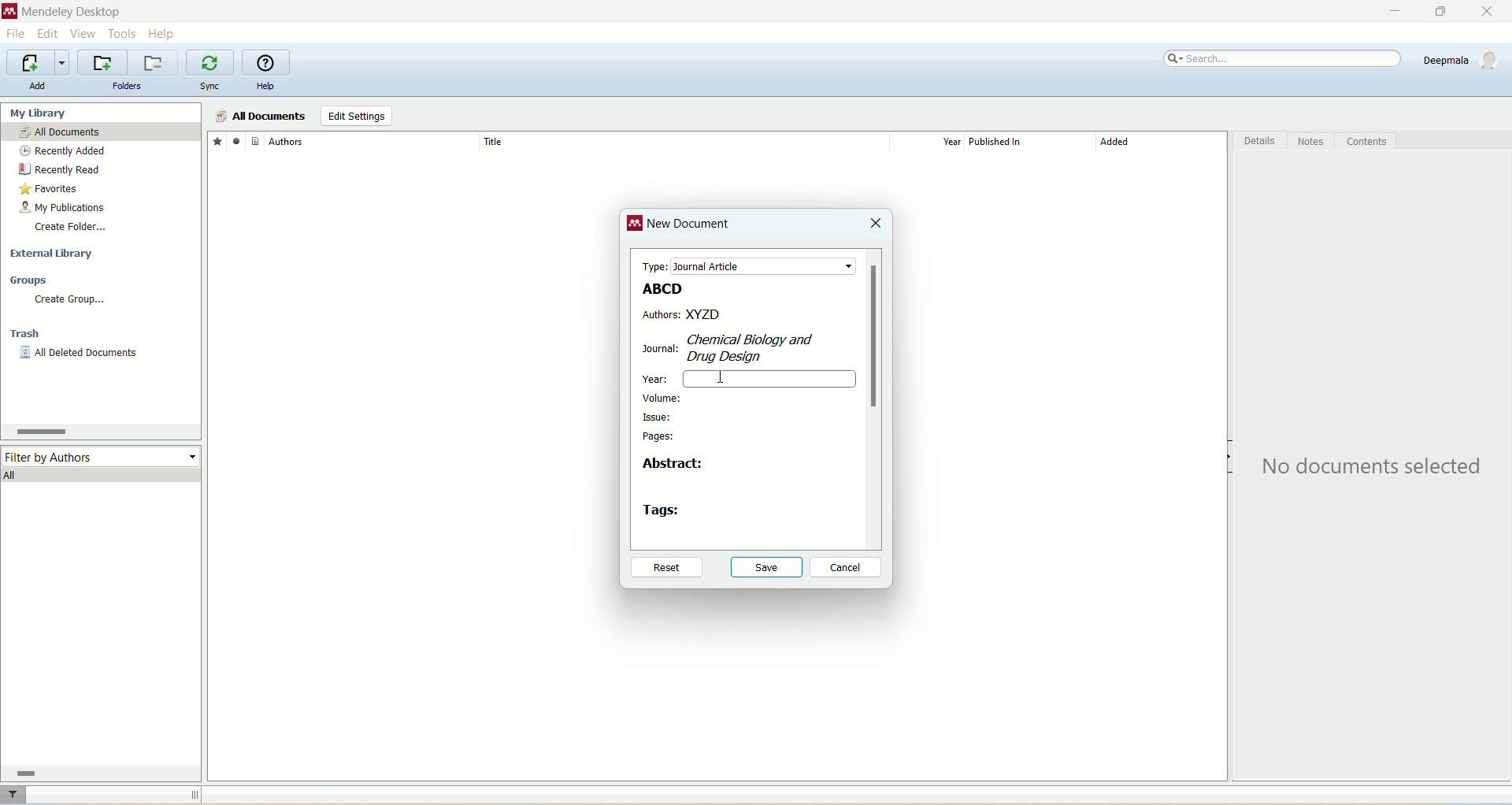 This screenshot has width=1512, height=805. What do you see at coordinates (30, 281) in the screenshot?
I see `groups` at bounding box center [30, 281].